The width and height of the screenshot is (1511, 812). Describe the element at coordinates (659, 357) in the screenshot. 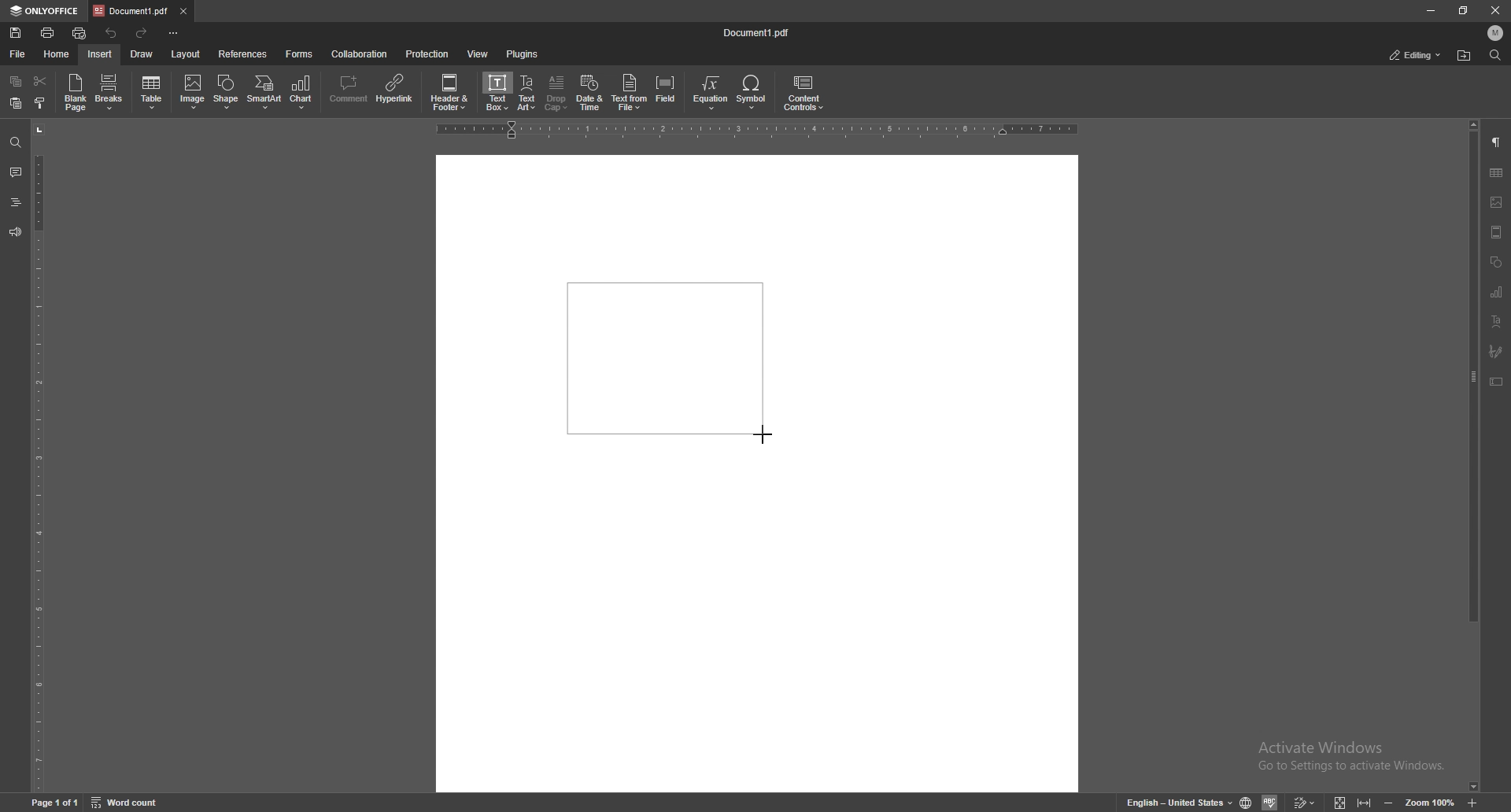

I see `box` at that location.